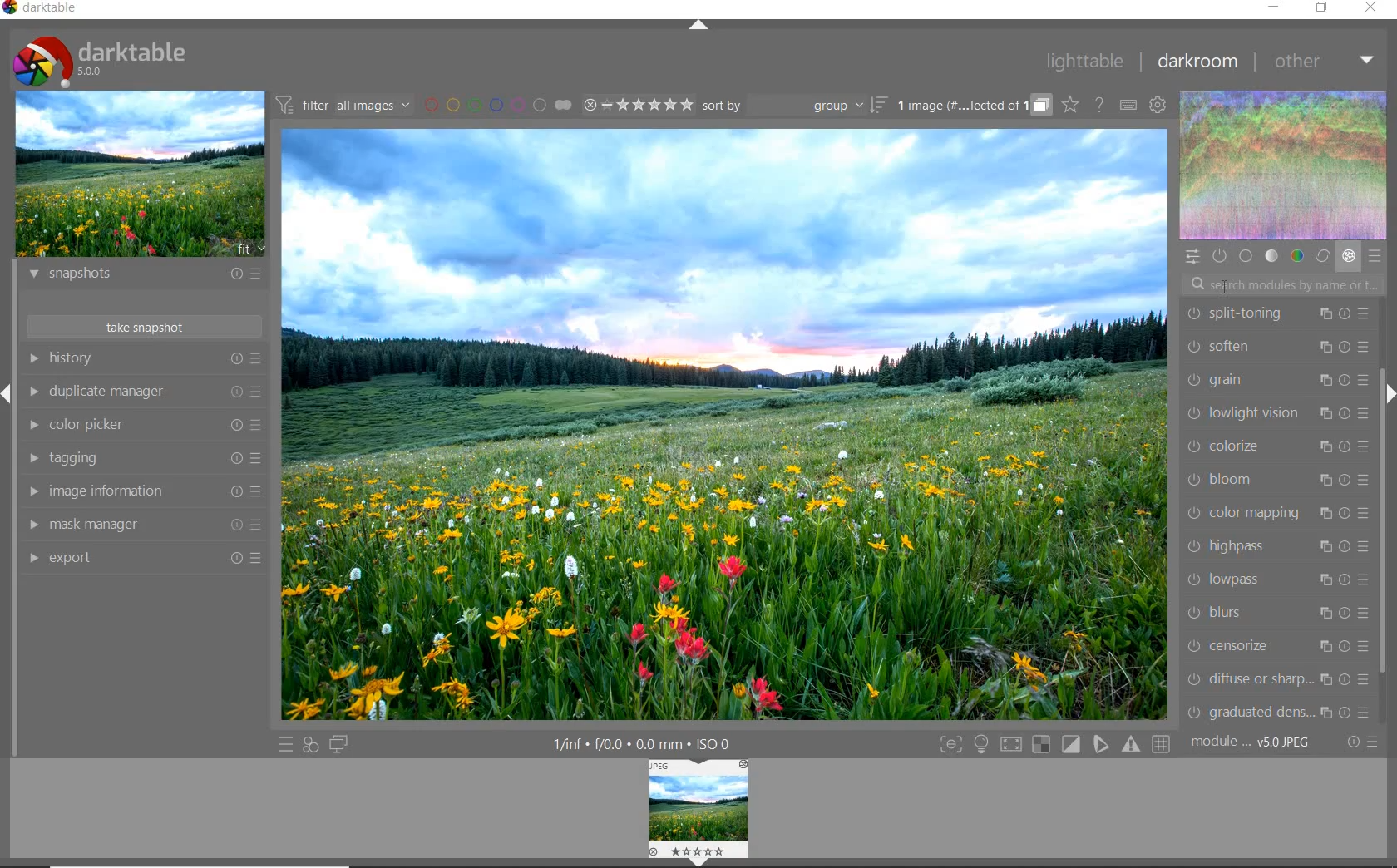  What do you see at coordinates (1255, 742) in the screenshot?
I see `module..v50JPEG` at bounding box center [1255, 742].